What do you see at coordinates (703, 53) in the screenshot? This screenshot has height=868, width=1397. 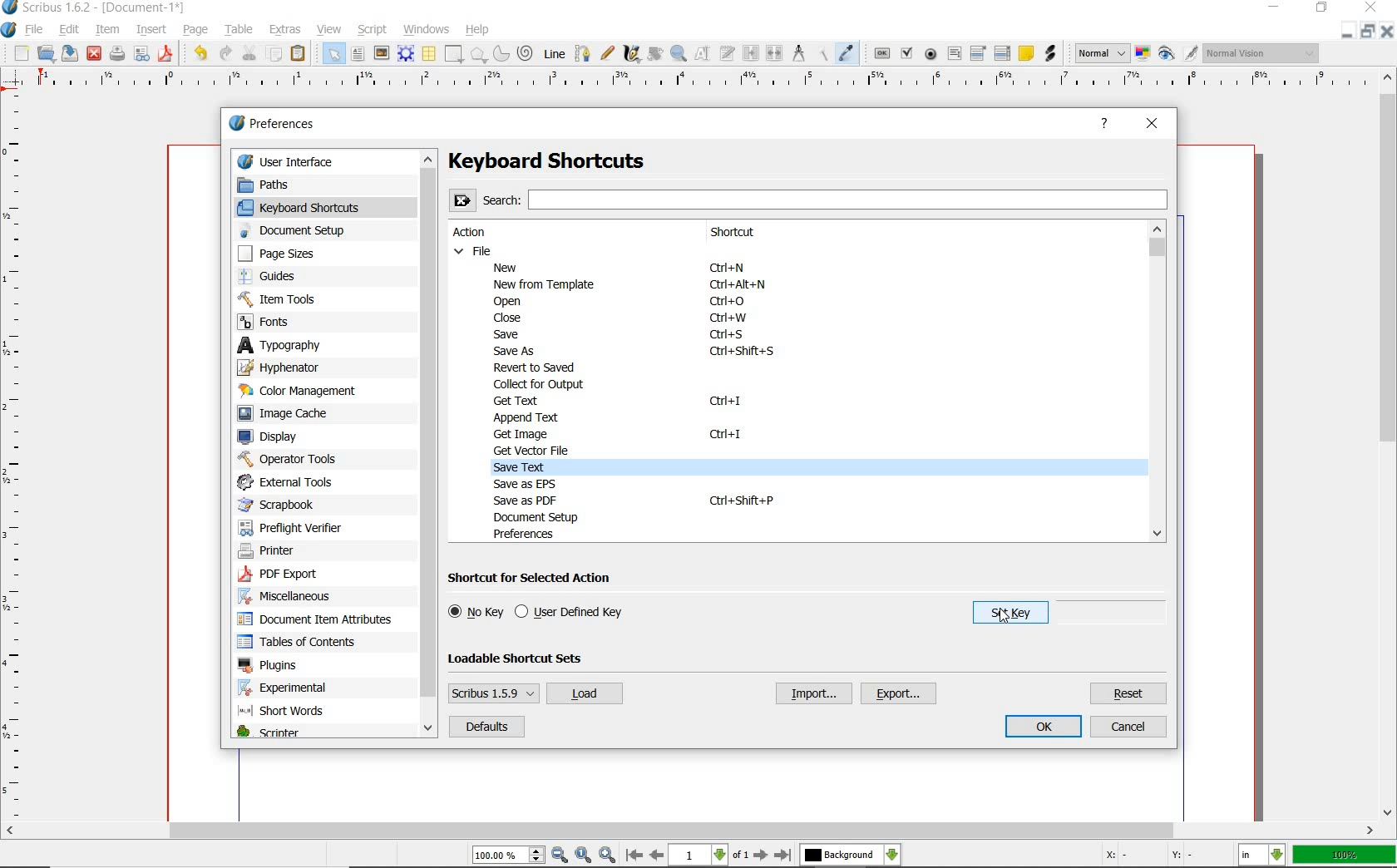 I see `edit contents of frame` at bounding box center [703, 53].